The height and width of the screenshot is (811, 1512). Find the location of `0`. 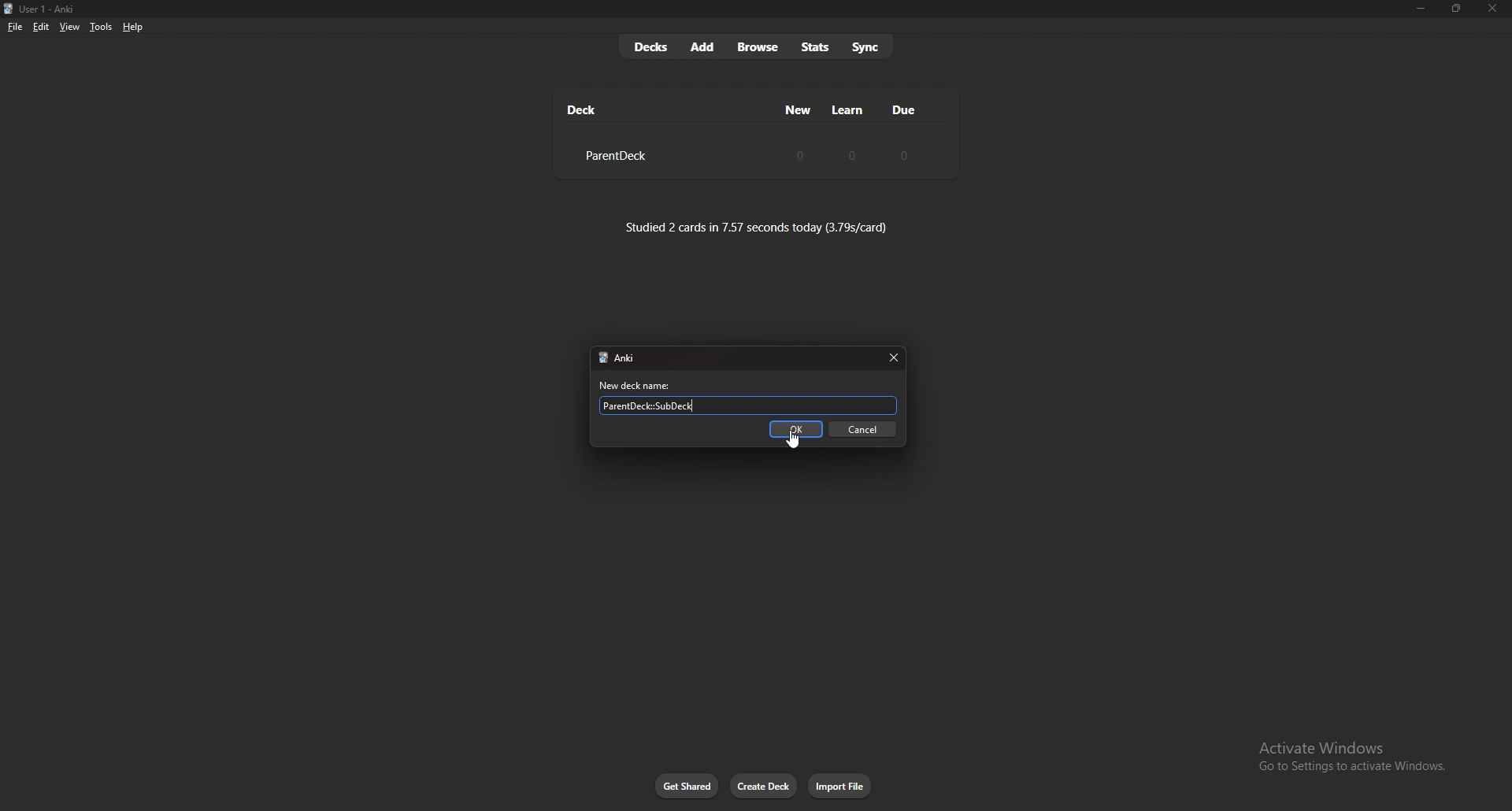

0 is located at coordinates (902, 155).